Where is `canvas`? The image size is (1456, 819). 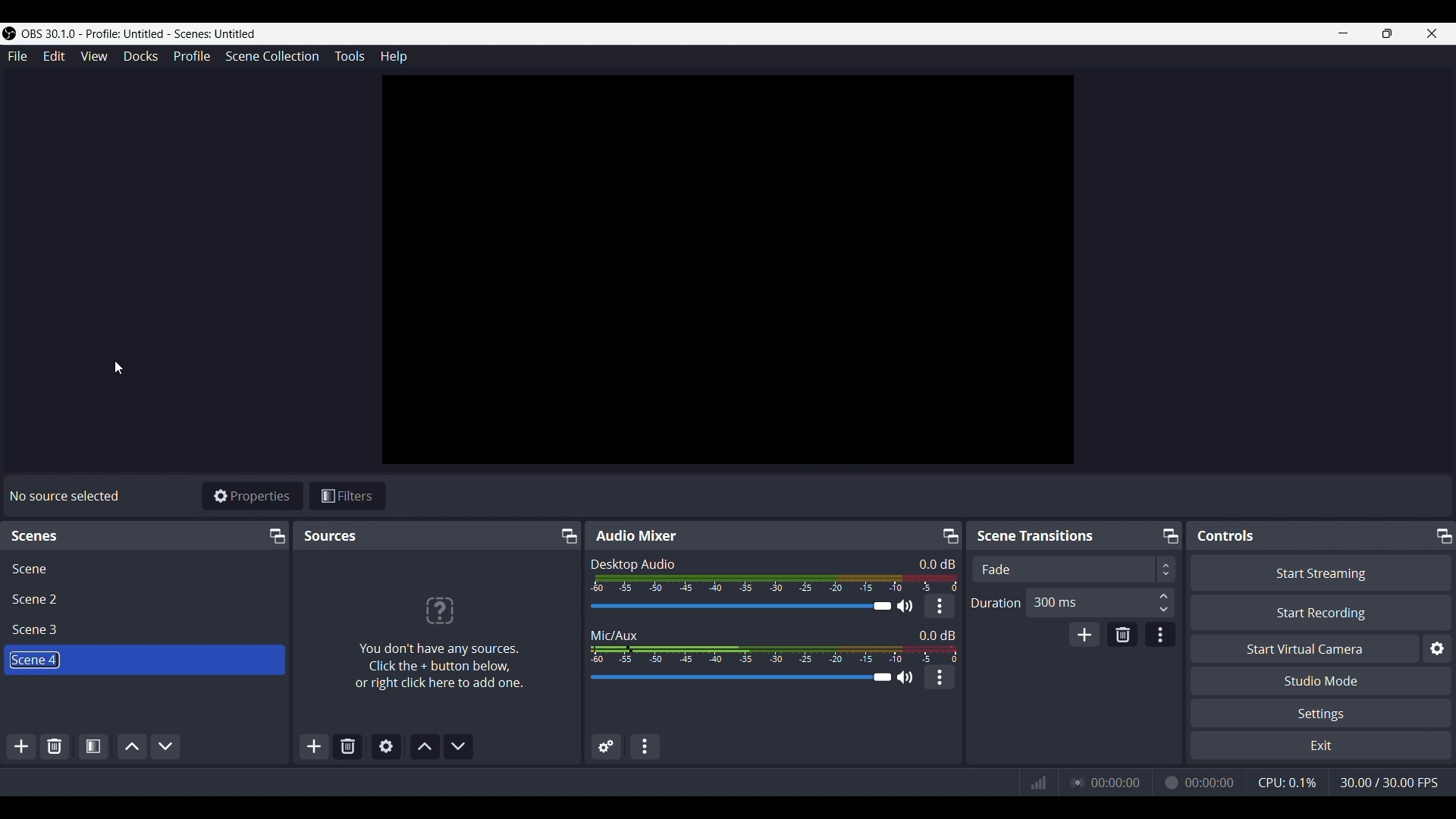 canvas is located at coordinates (732, 274).